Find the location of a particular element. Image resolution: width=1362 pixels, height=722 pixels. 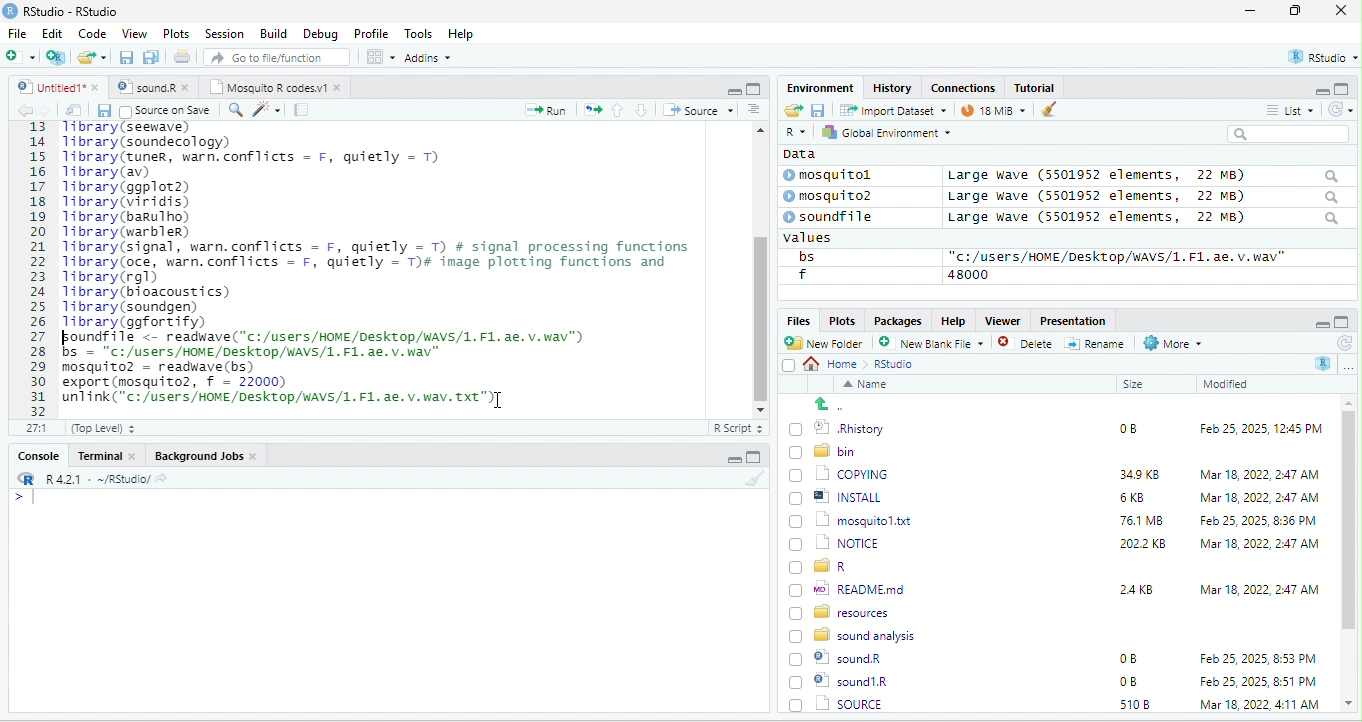

R Script 5 is located at coordinates (739, 428).